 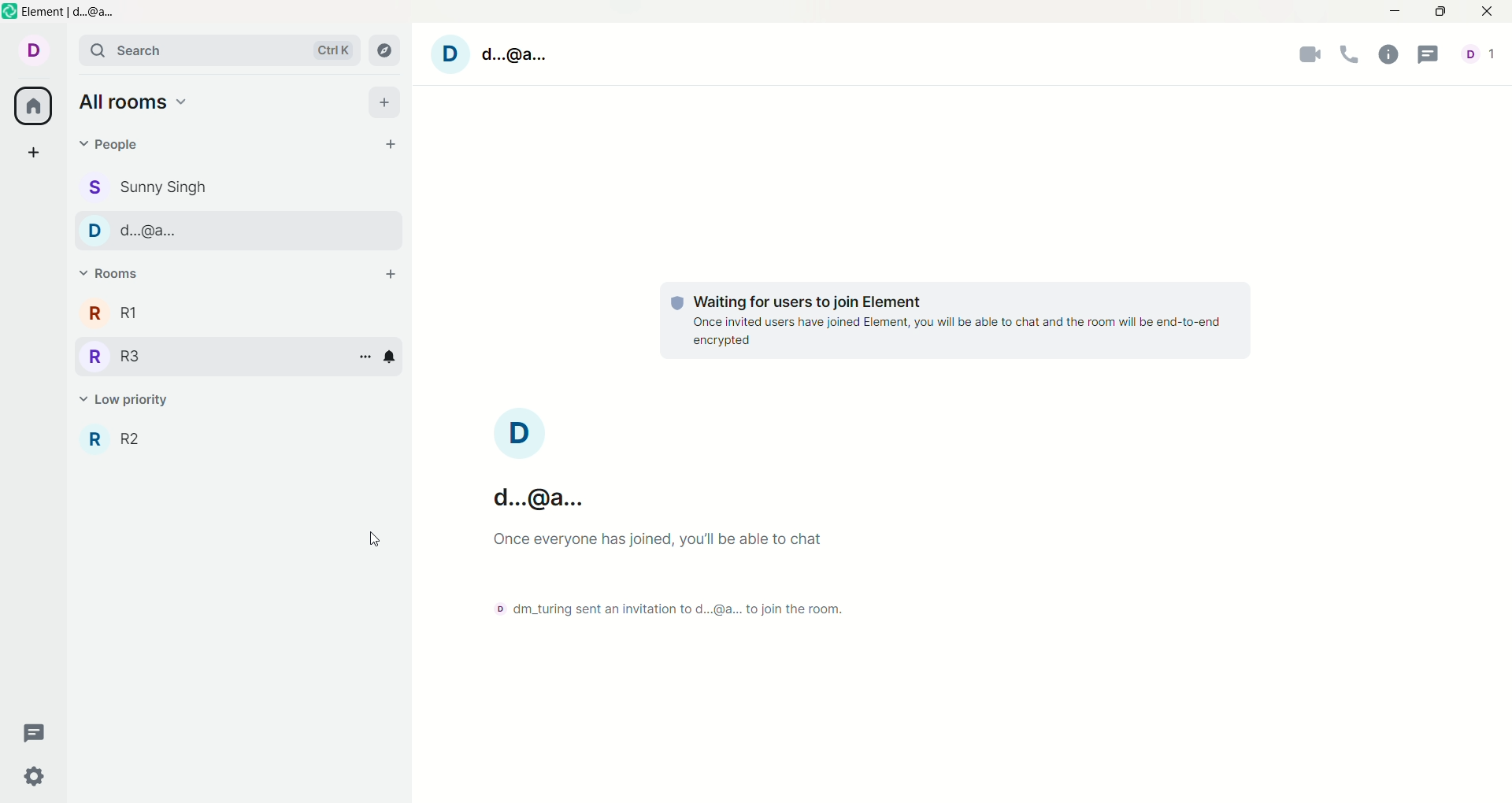 What do you see at coordinates (1491, 12) in the screenshot?
I see `close` at bounding box center [1491, 12].